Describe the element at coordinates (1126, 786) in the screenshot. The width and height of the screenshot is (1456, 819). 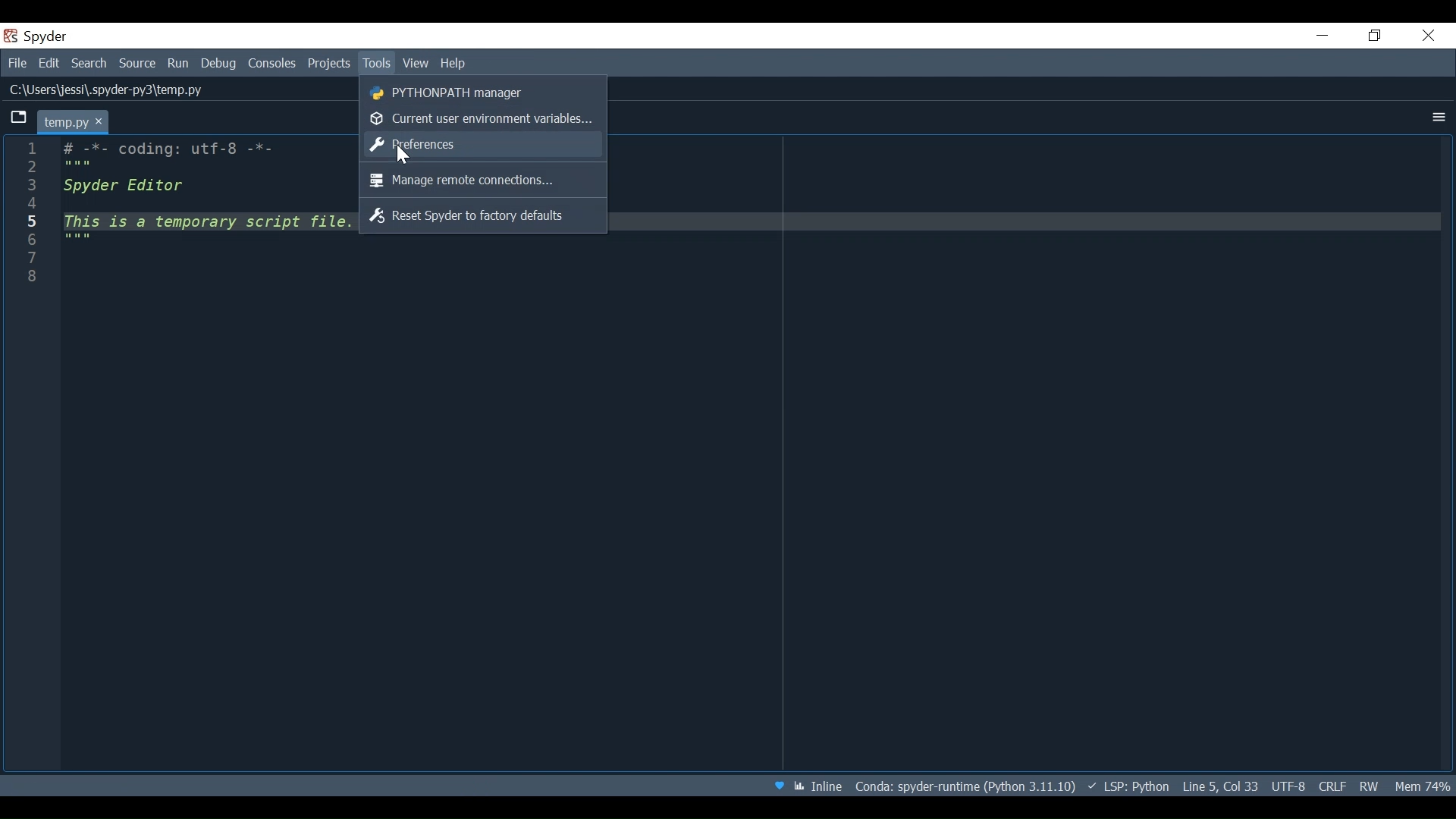
I see `Language` at that location.